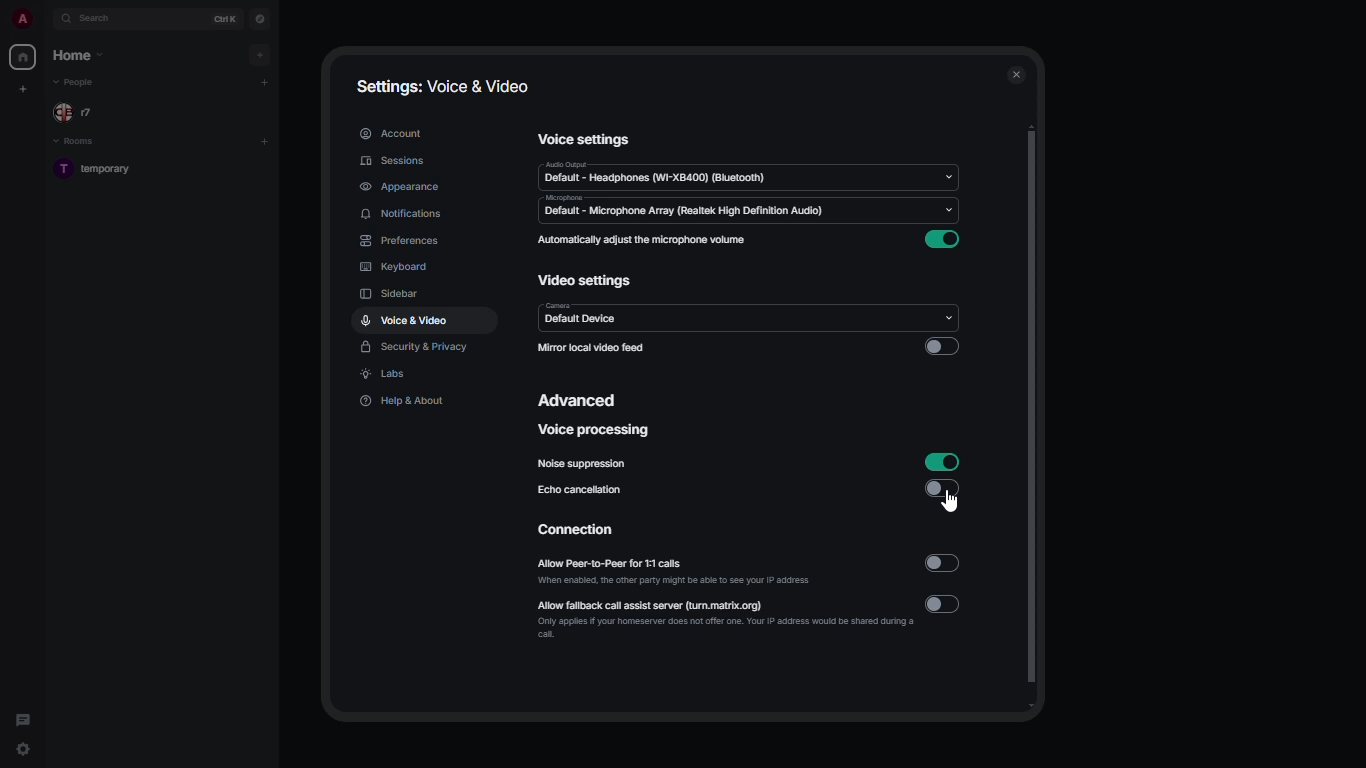  What do you see at coordinates (581, 315) in the screenshot?
I see `camera default` at bounding box center [581, 315].